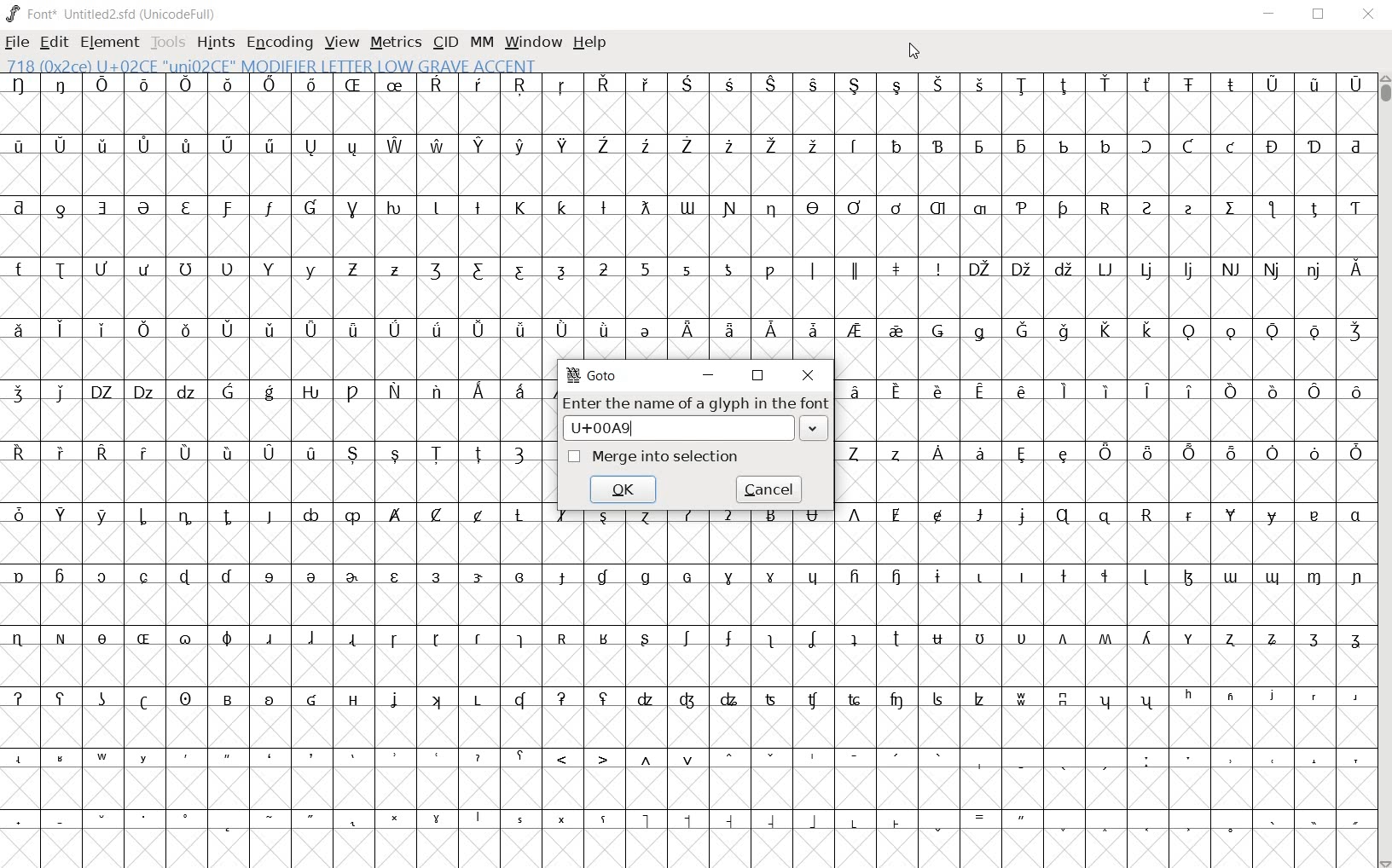 The width and height of the screenshot is (1392, 868). What do you see at coordinates (912, 52) in the screenshot?
I see `close` at bounding box center [912, 52].